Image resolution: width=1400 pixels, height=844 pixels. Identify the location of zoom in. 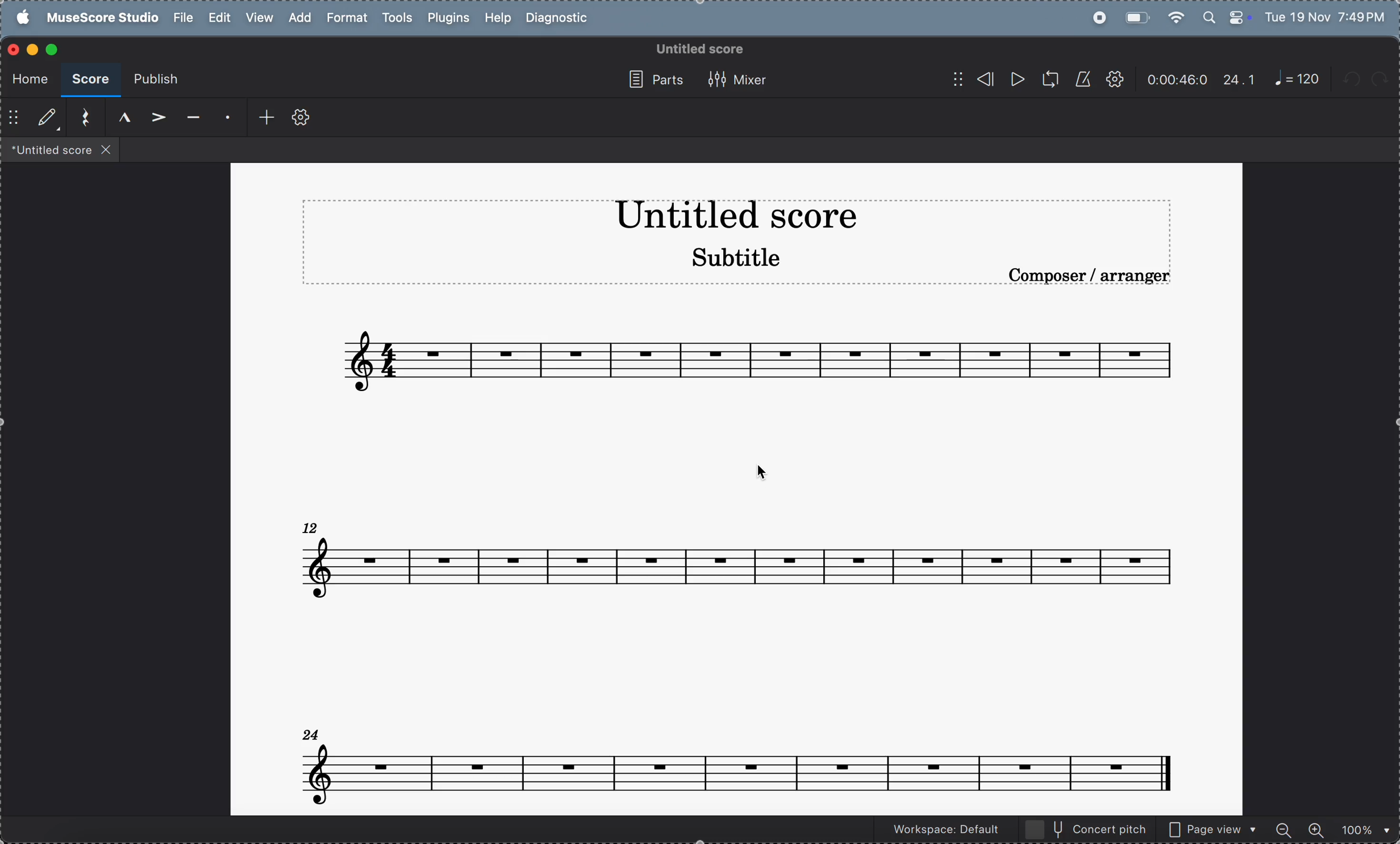
(1315, 828).